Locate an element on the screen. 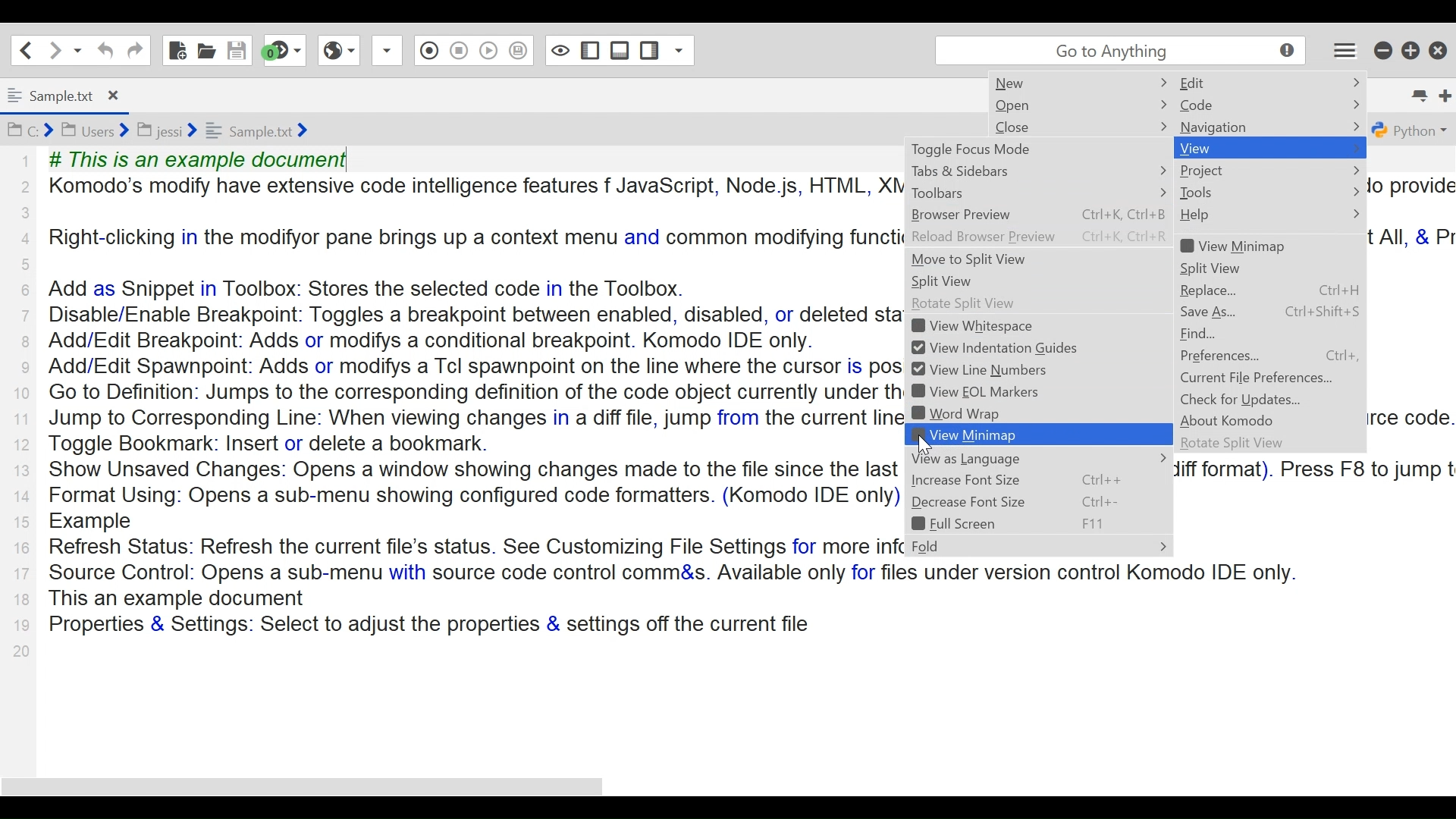  Close is located at coordinates (1439, 50).